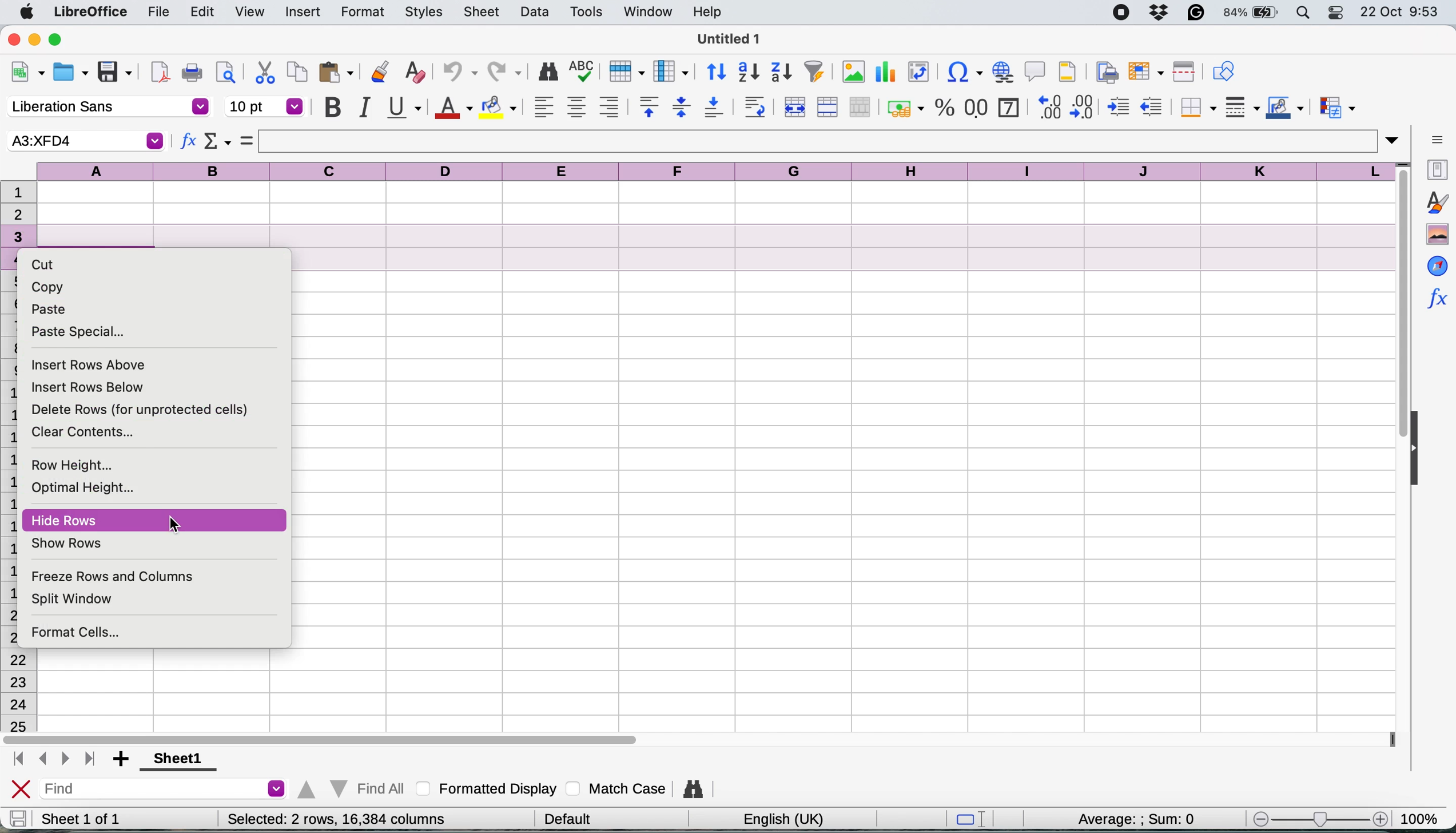 The image size is (1456, 833). Describe the element at coordinates (189, 143) in the screenshot. I see `function wizard` at that location.